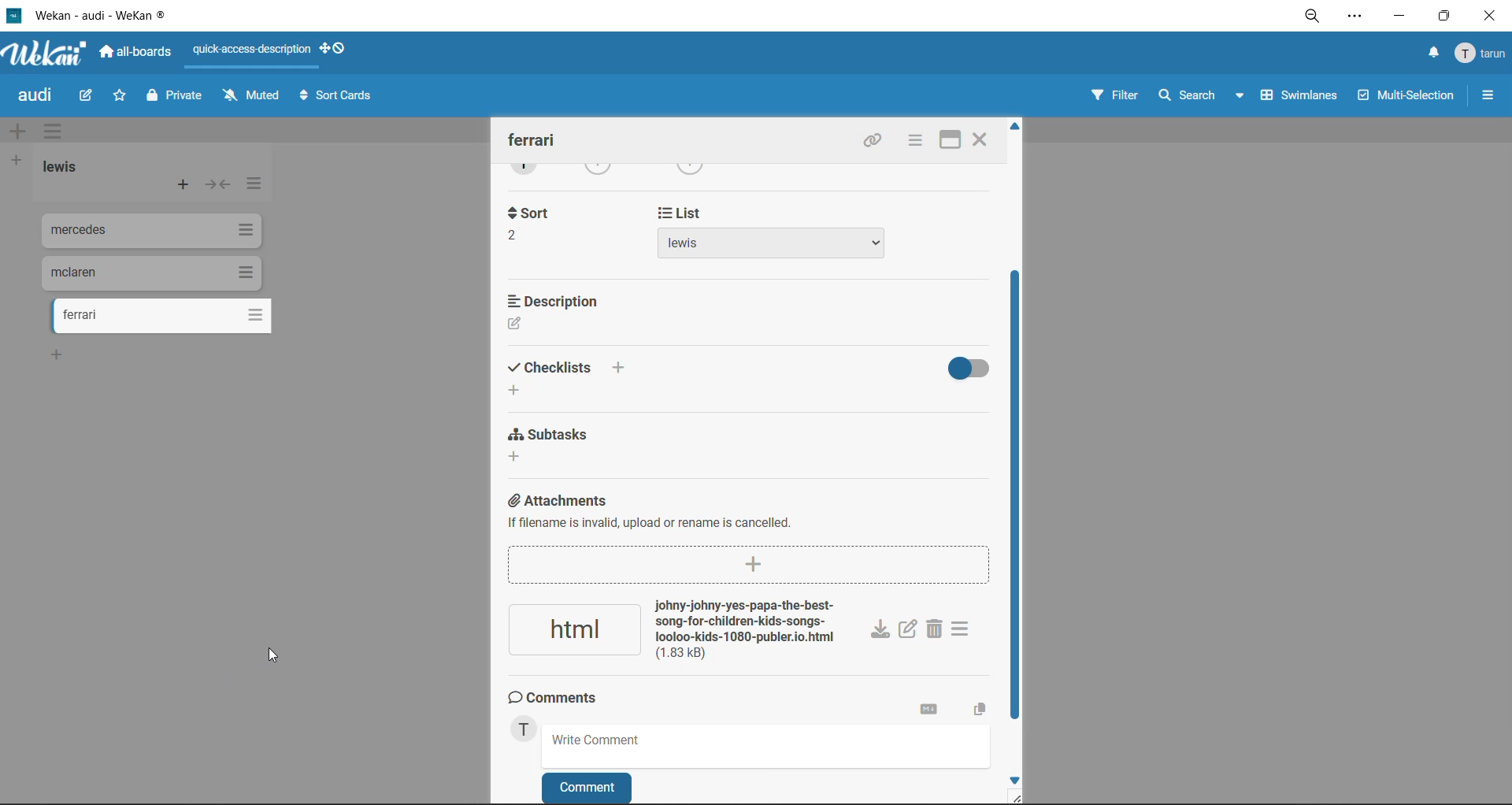 The image size is (1512, 805). Describe the element at coordinates (979, 142) in the screenshot. I see `close` at that location.